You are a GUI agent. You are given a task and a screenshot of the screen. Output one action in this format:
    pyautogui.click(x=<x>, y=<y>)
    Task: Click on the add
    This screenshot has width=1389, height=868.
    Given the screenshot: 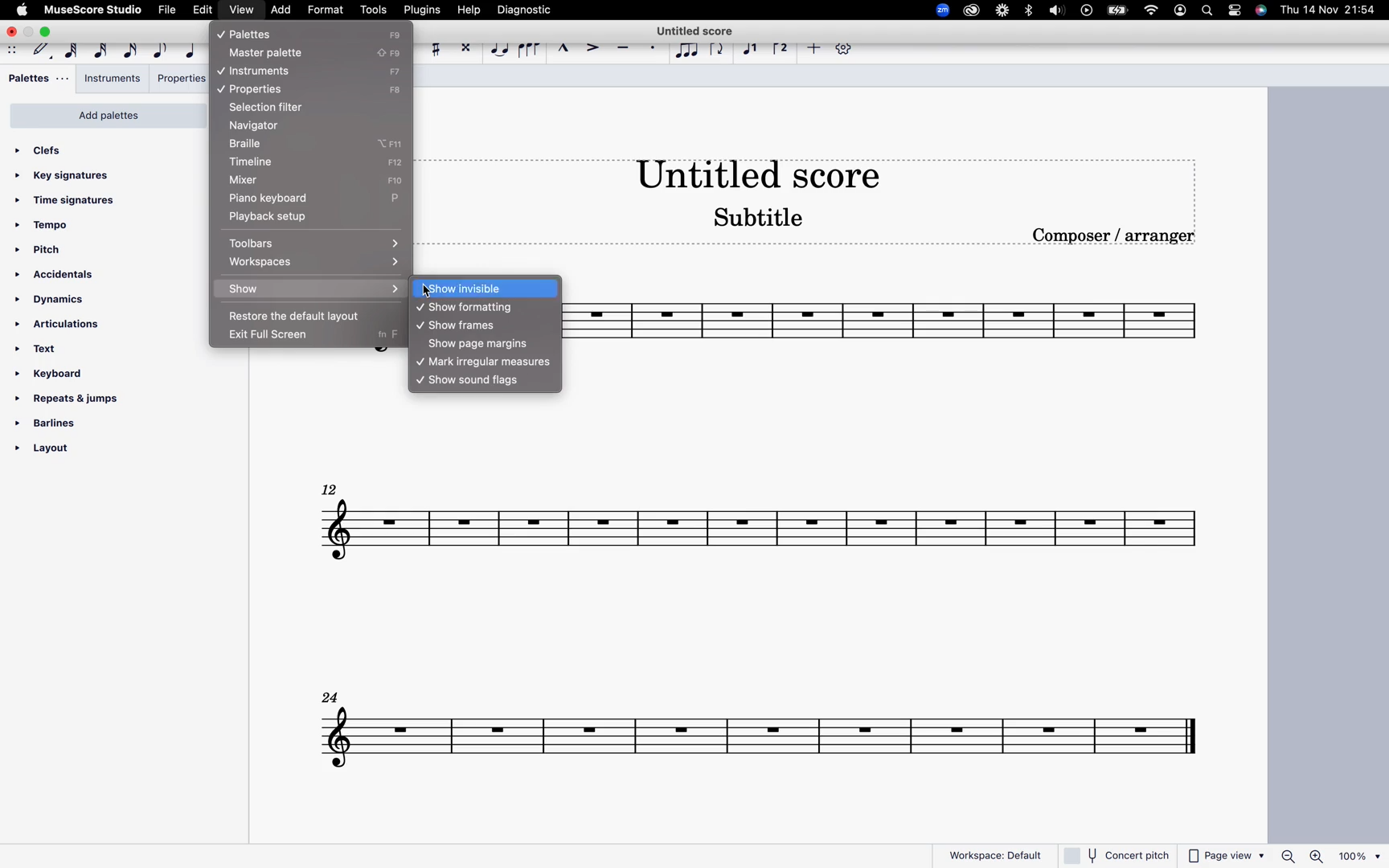 What is the action you would take?
    pyautogui.click(x=281, y=10)
    